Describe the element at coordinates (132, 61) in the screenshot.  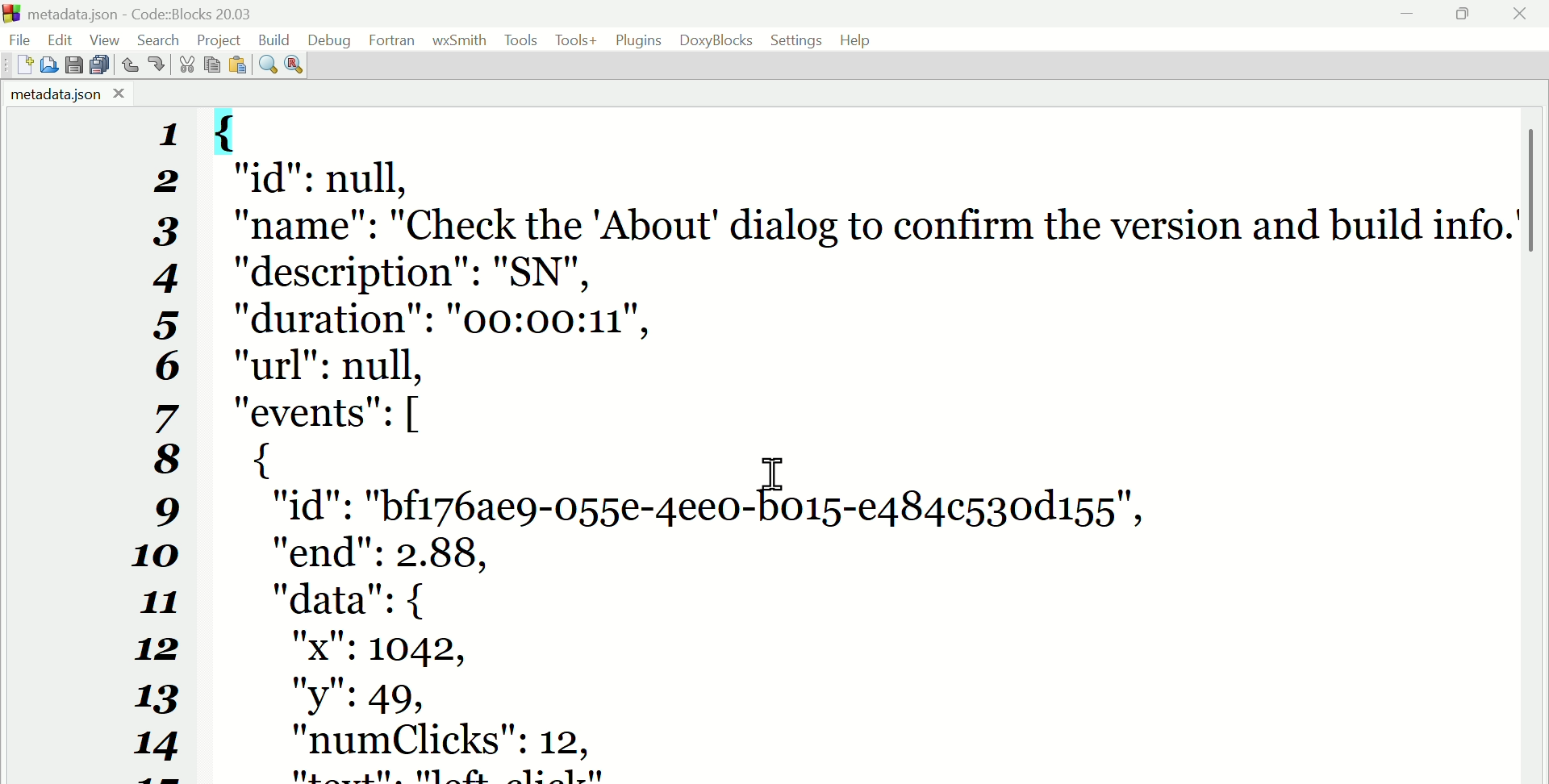
I see `Undo` at that location.